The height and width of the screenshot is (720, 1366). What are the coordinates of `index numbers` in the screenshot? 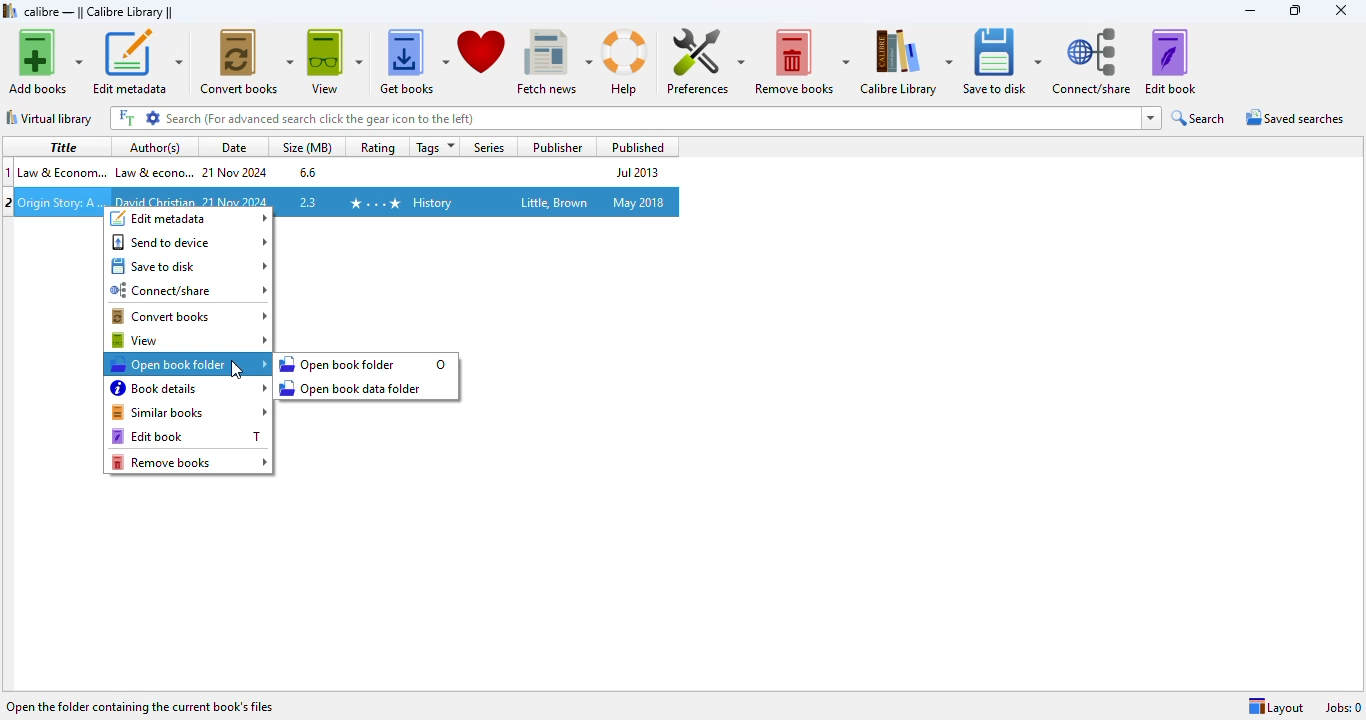 It's located at (10, 171).